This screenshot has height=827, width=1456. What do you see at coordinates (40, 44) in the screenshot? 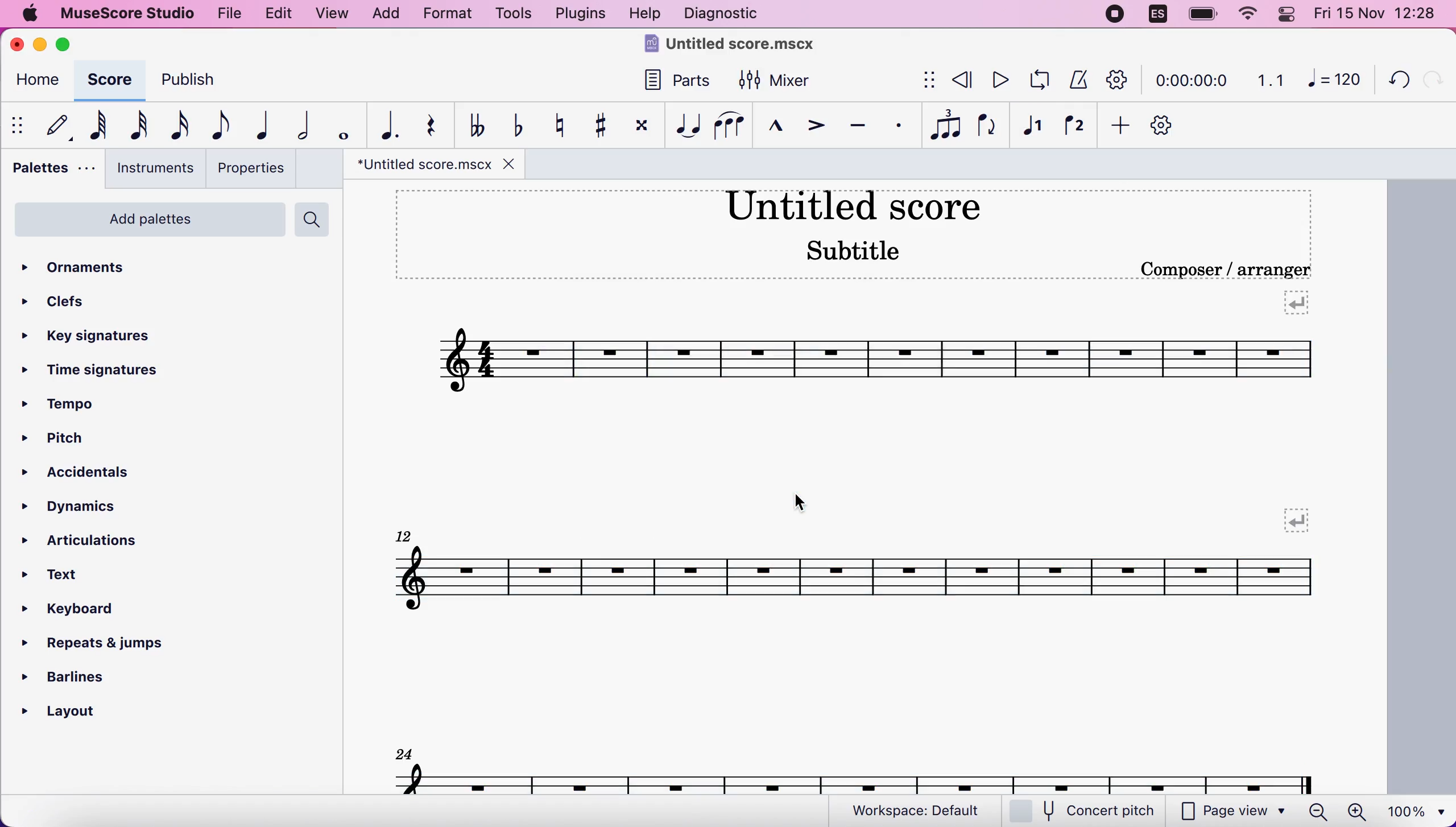
I see `minimize` at bounding box center [40, 44].